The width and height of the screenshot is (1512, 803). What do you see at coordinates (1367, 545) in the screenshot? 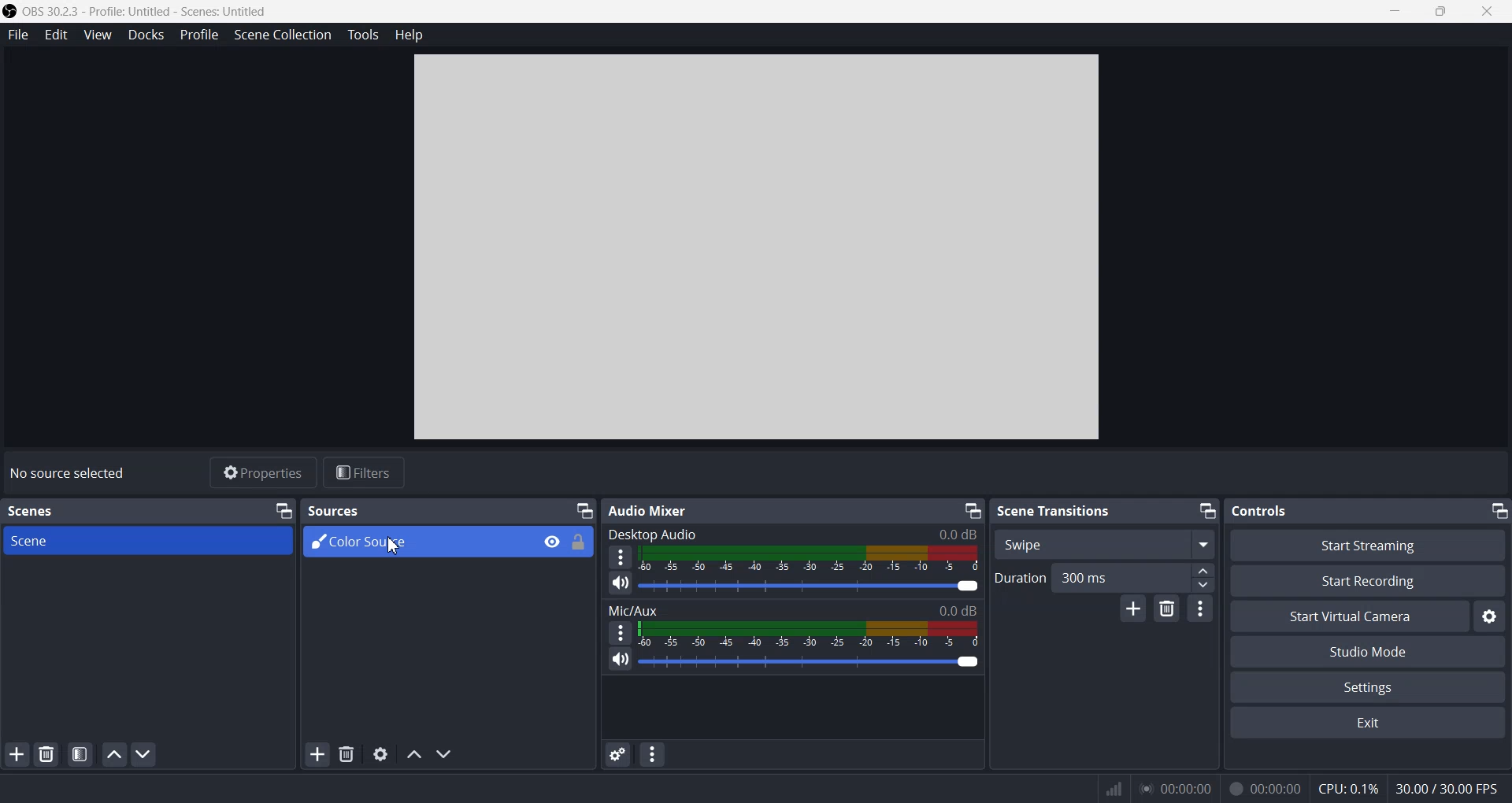
I see `Start Streaming` at bounding box center [1367, 545].